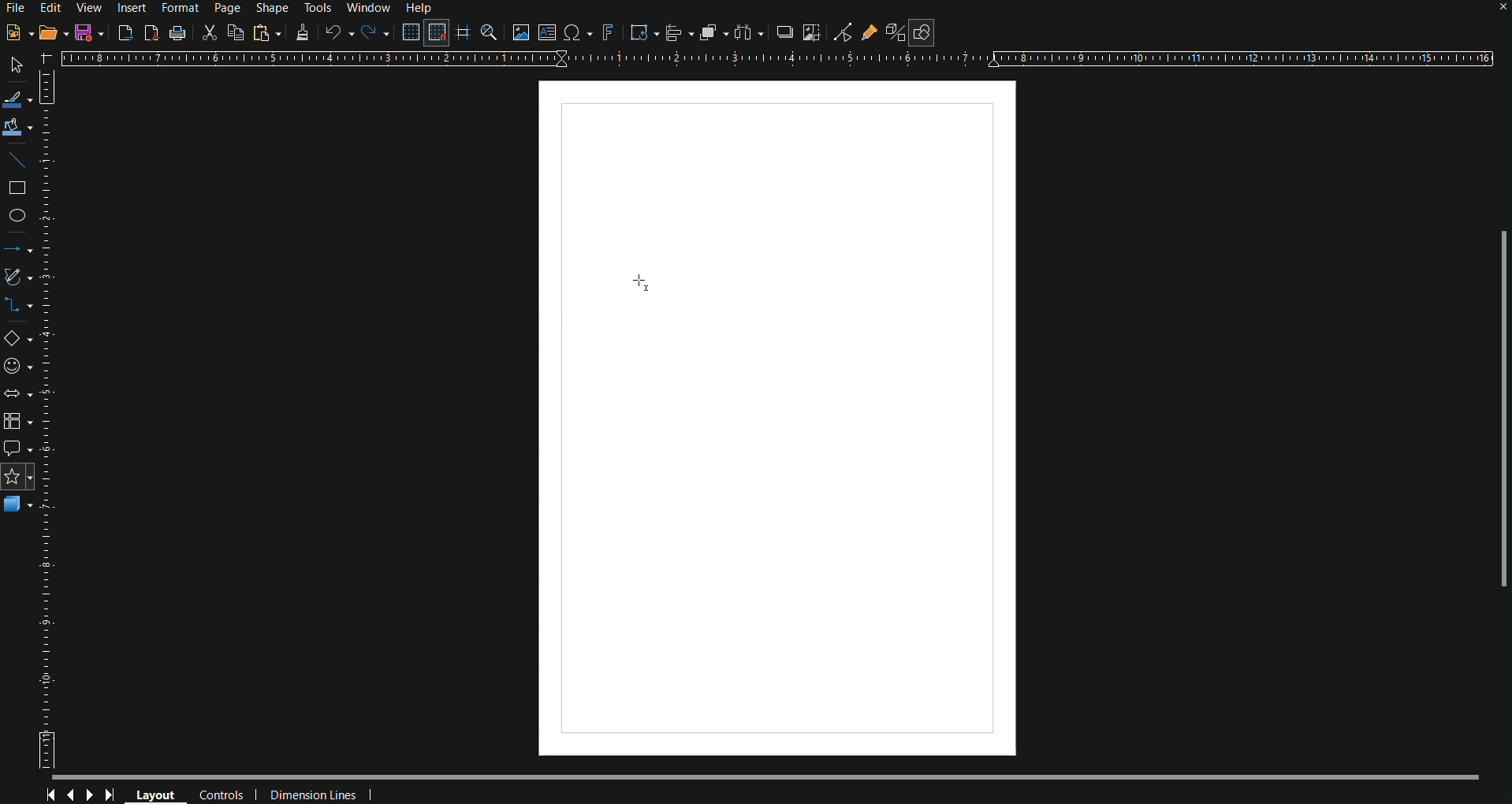 This screenshot has height=804, width=1512. What do you see at coordinates (53, 33) in the screenshot?
I see `Open` at bounding box center [53, 33].